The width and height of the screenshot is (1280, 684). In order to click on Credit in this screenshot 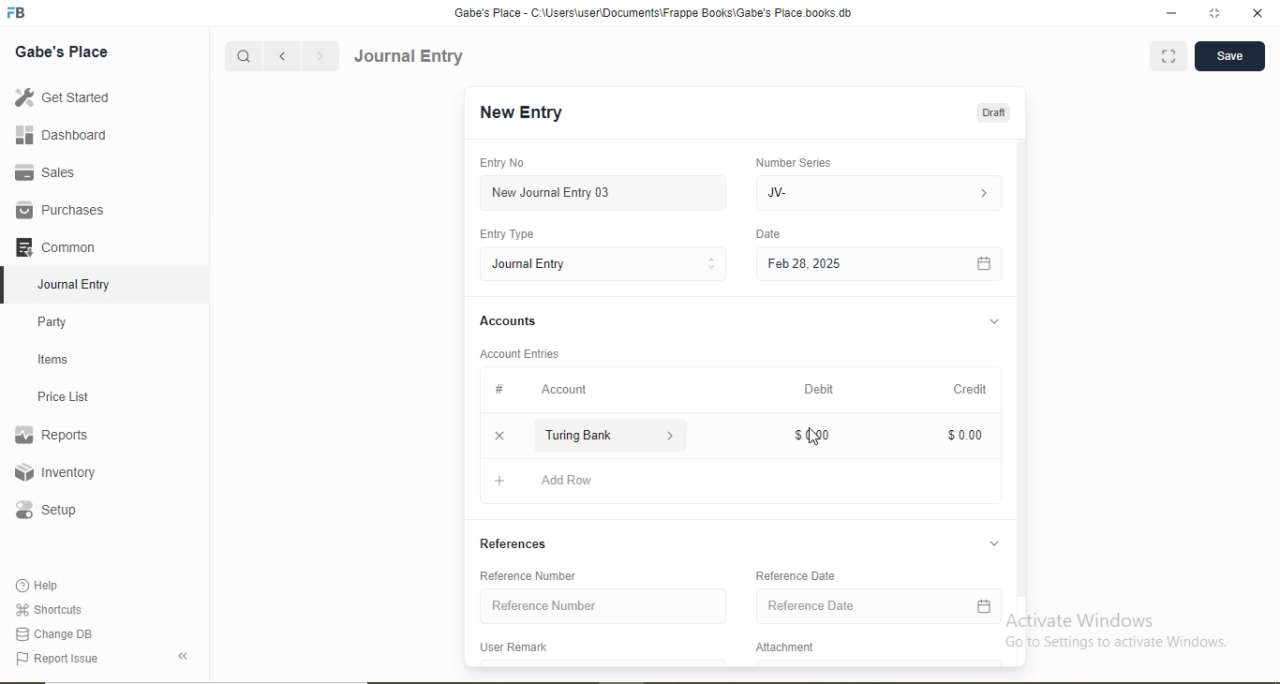, I will do `click(970, 389)`.